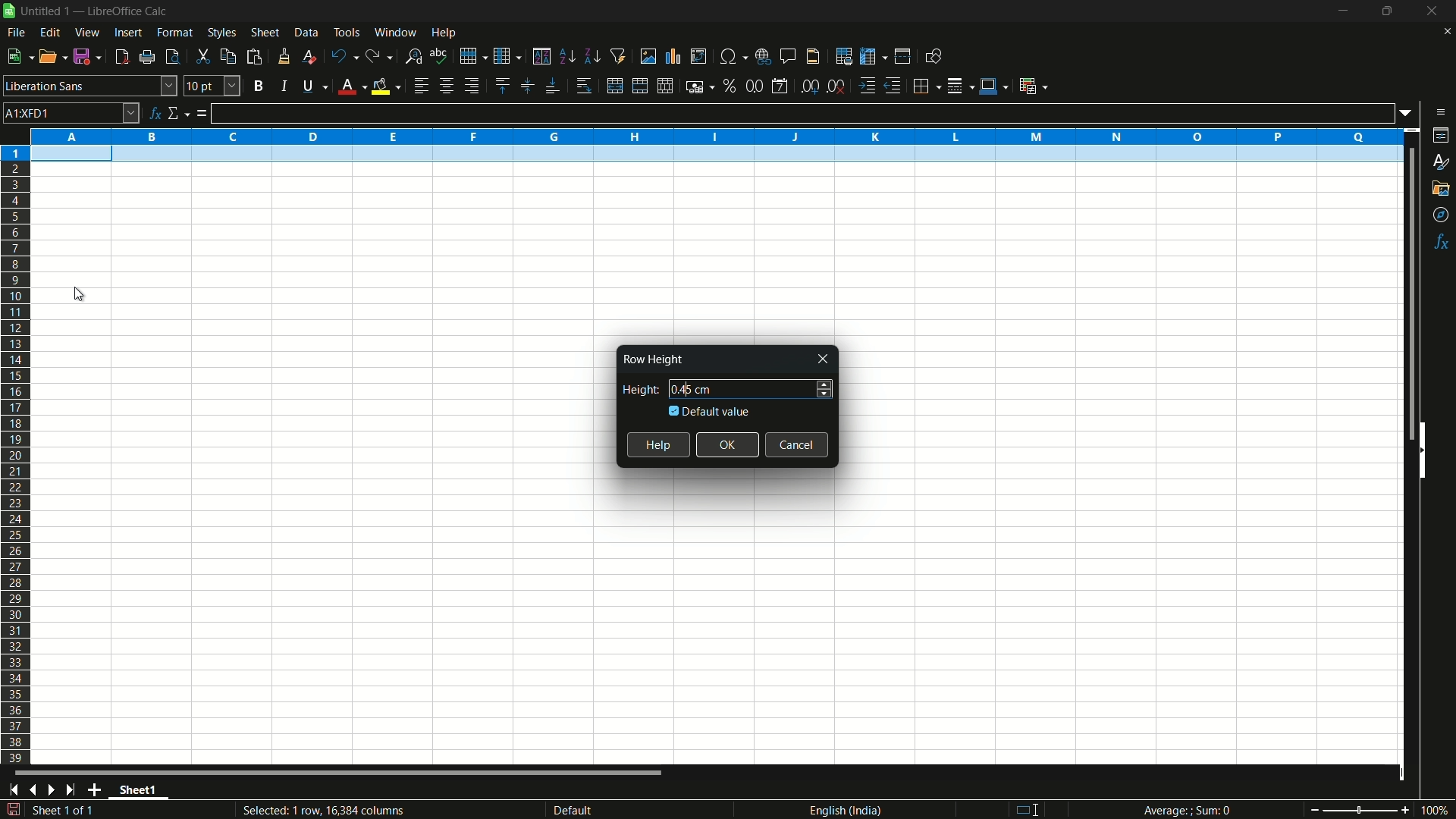 The width and height of the screenshot is (1456, 819). I want to click on sheet name, so click(143, 792).